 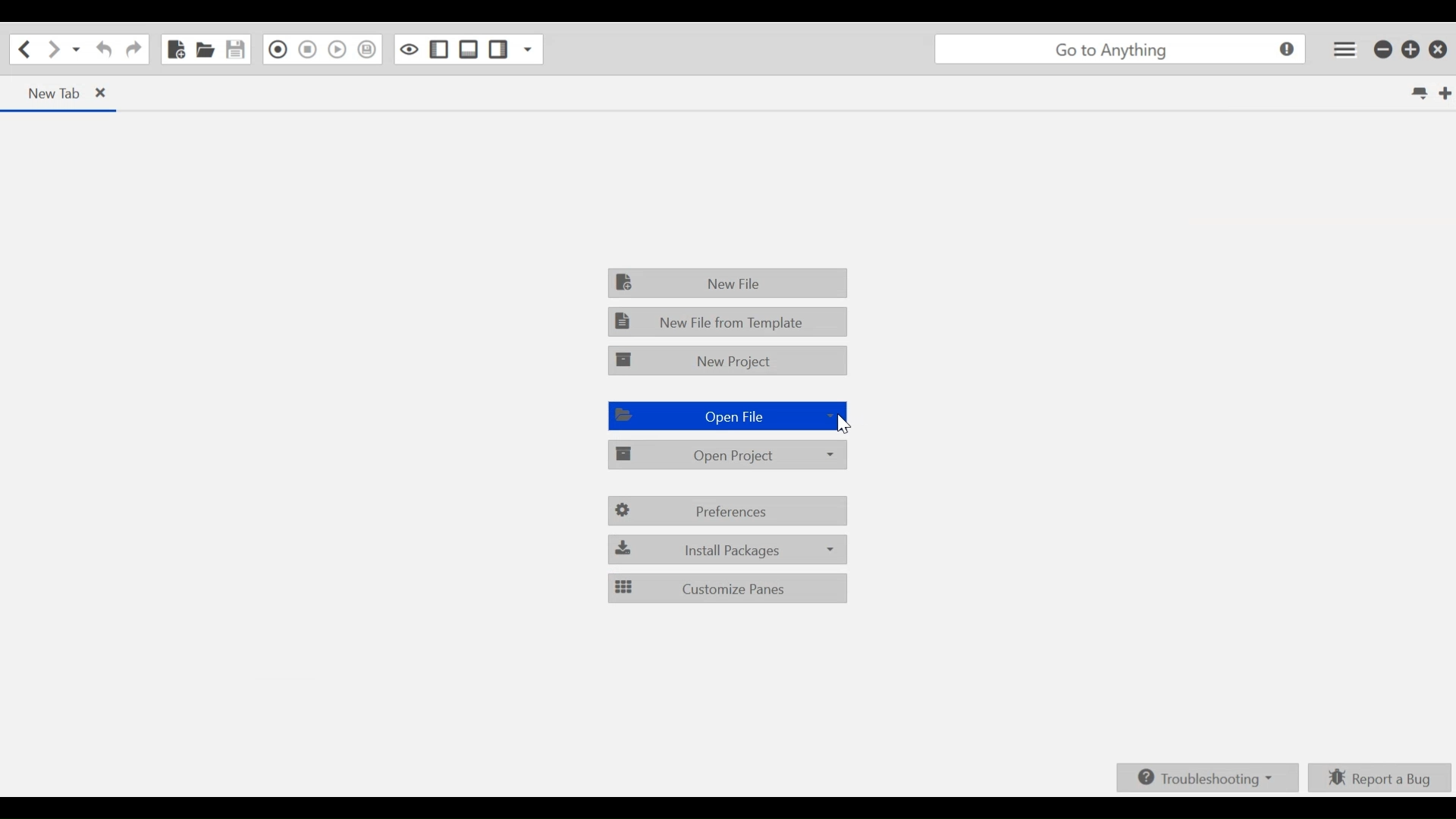 I want to click on New tab, so click(x=1442, y=94).